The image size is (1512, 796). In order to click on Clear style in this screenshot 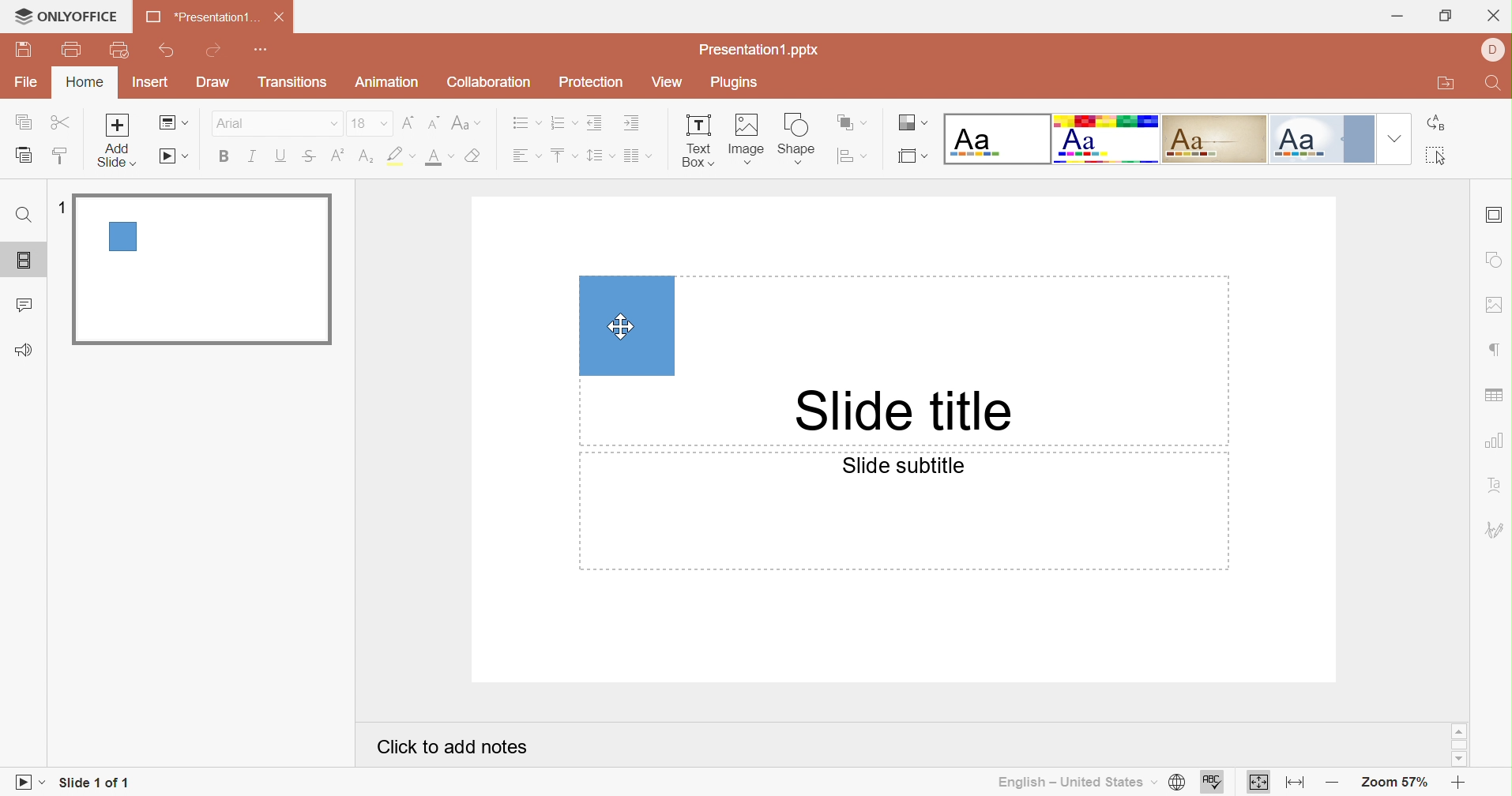, I will do `click(476, 157)`.